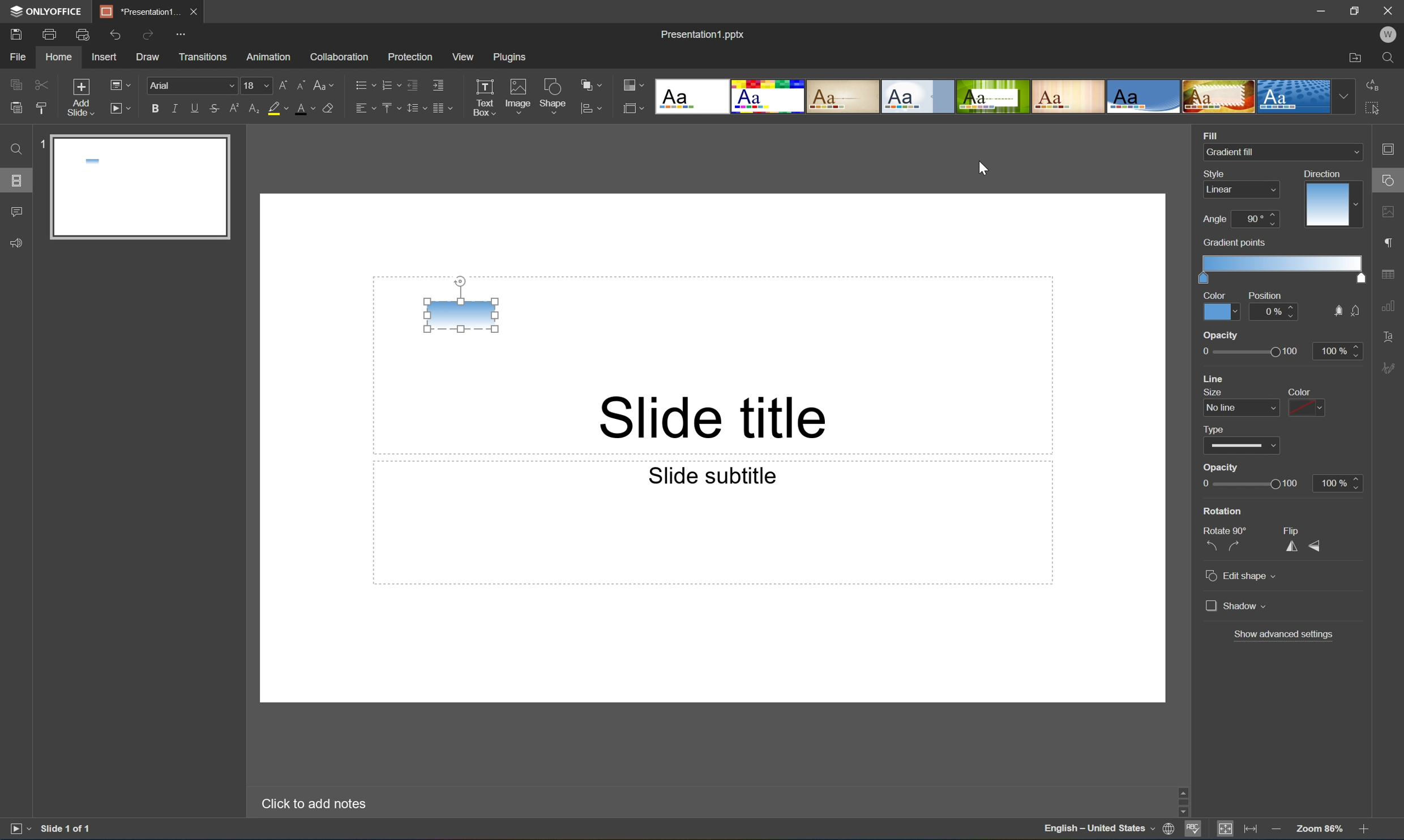  I want to click on Rotate 90° clockwise, so click(1236, 546).